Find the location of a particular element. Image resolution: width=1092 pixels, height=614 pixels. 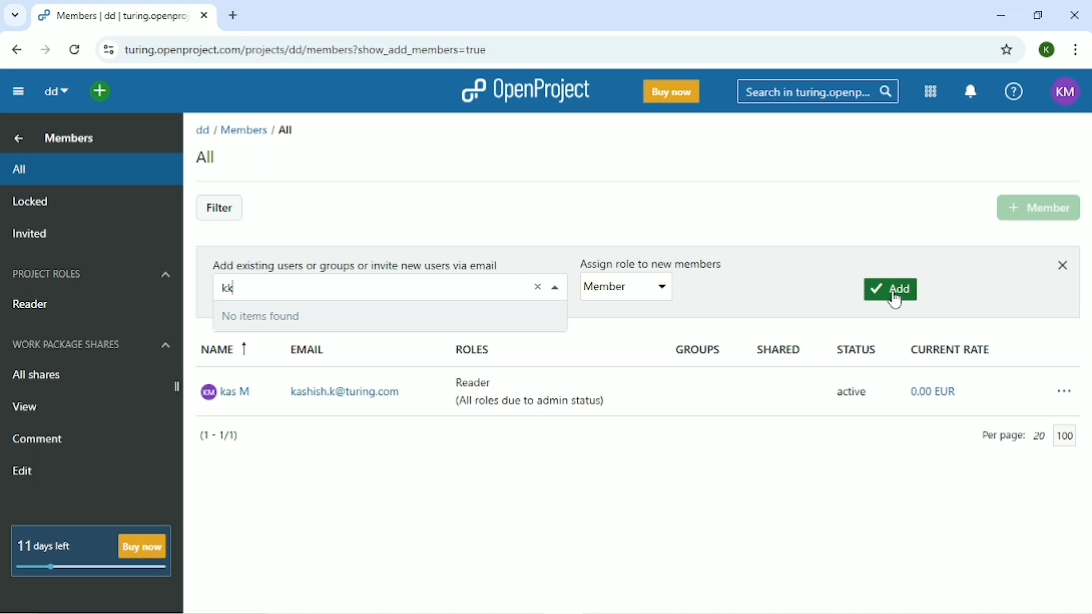

Help is located at coordinates (1012, 93).